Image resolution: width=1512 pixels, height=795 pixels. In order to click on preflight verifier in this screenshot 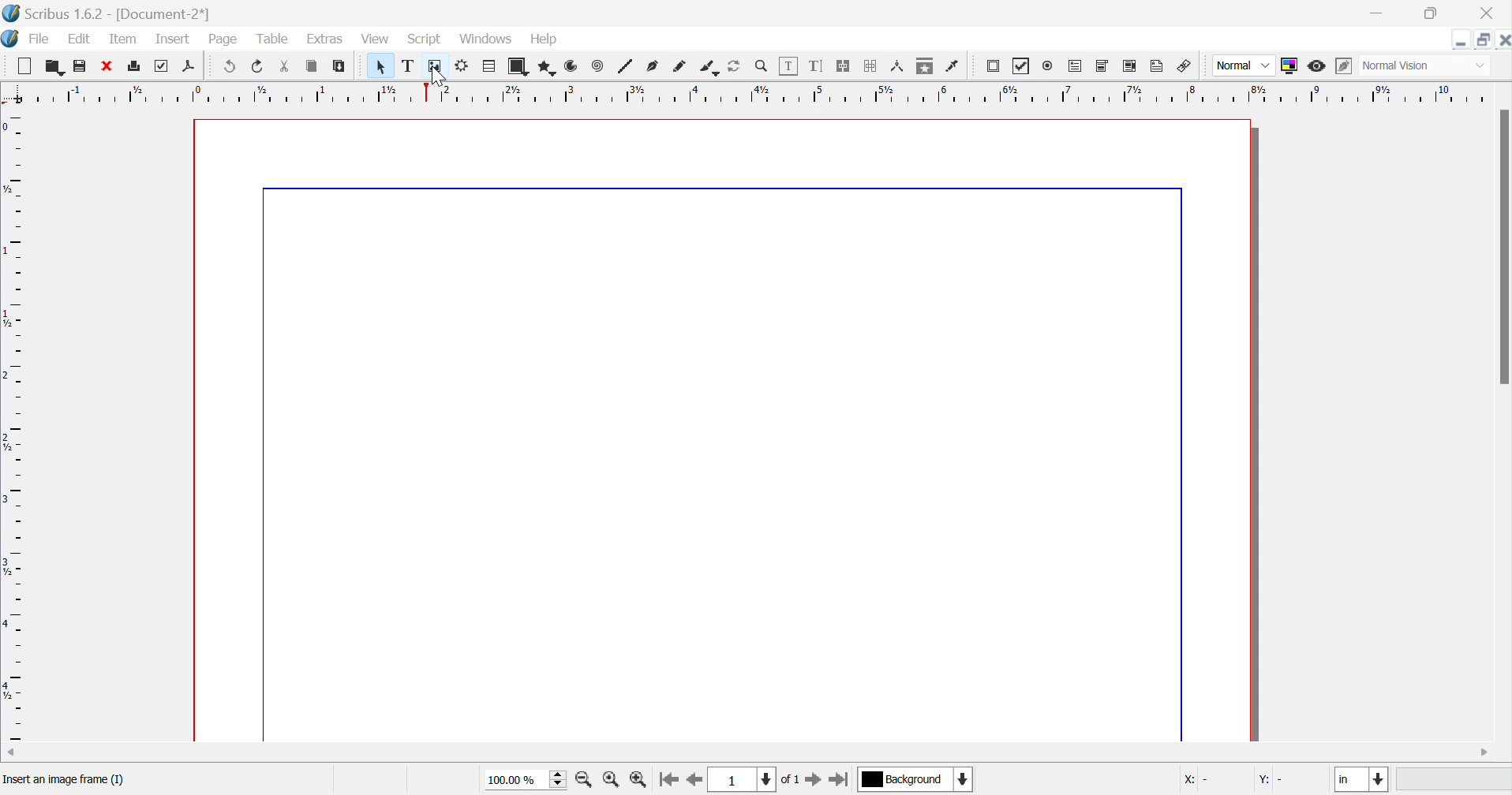, I will do `click(163, 66)`.